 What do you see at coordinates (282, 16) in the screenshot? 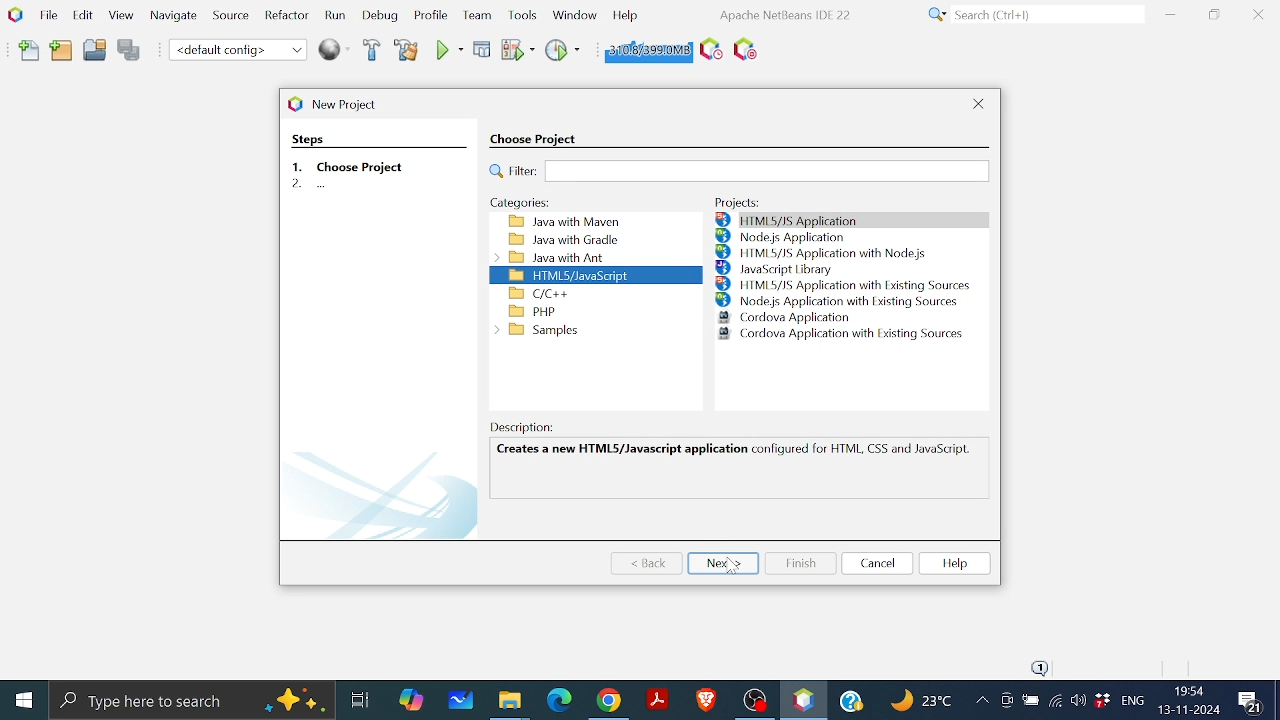
I see `Refractor` at bounding box center [282, 16].